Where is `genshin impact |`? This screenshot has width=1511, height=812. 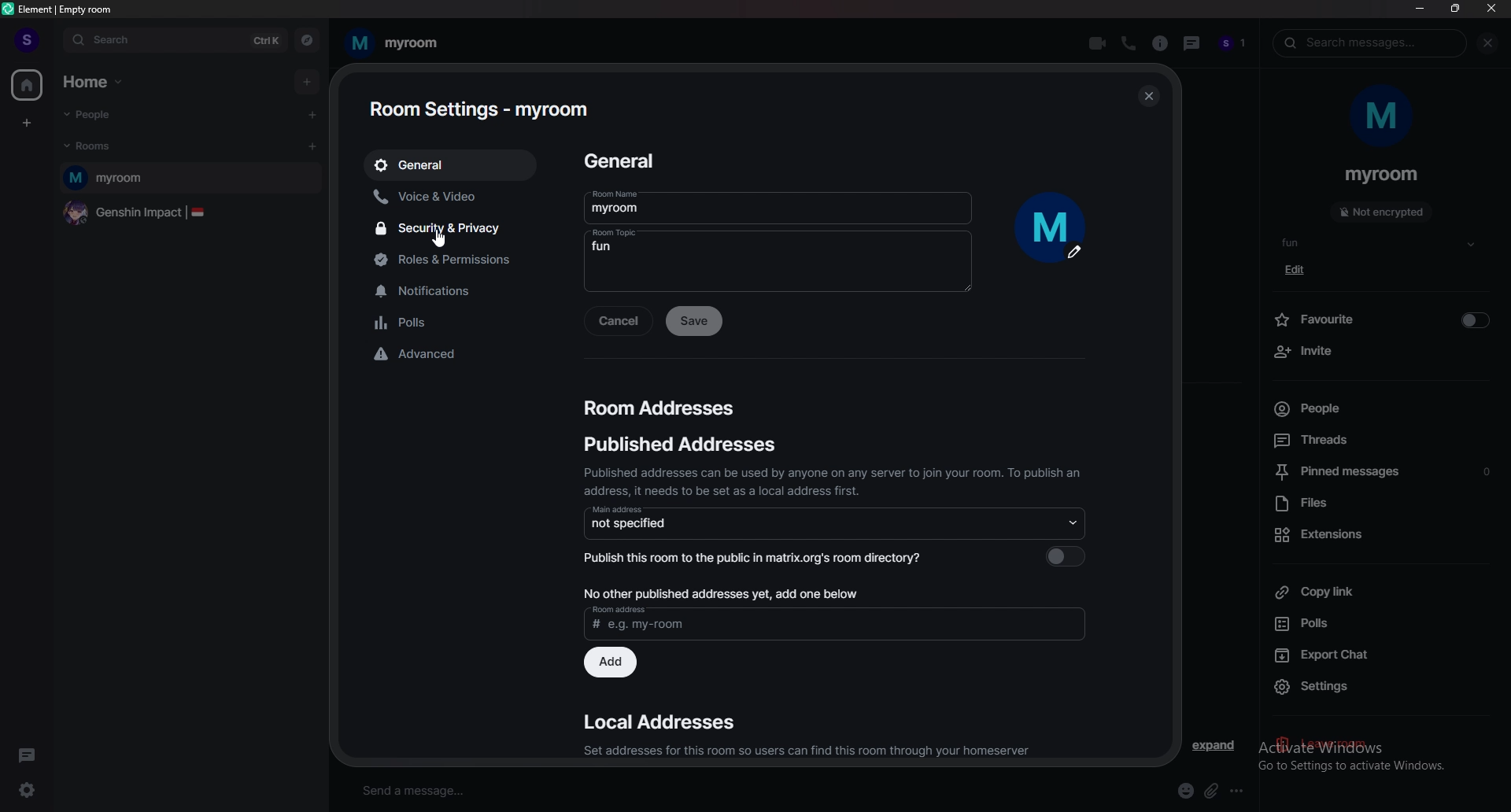 genshin impact | is located at coordinates (188, 215).